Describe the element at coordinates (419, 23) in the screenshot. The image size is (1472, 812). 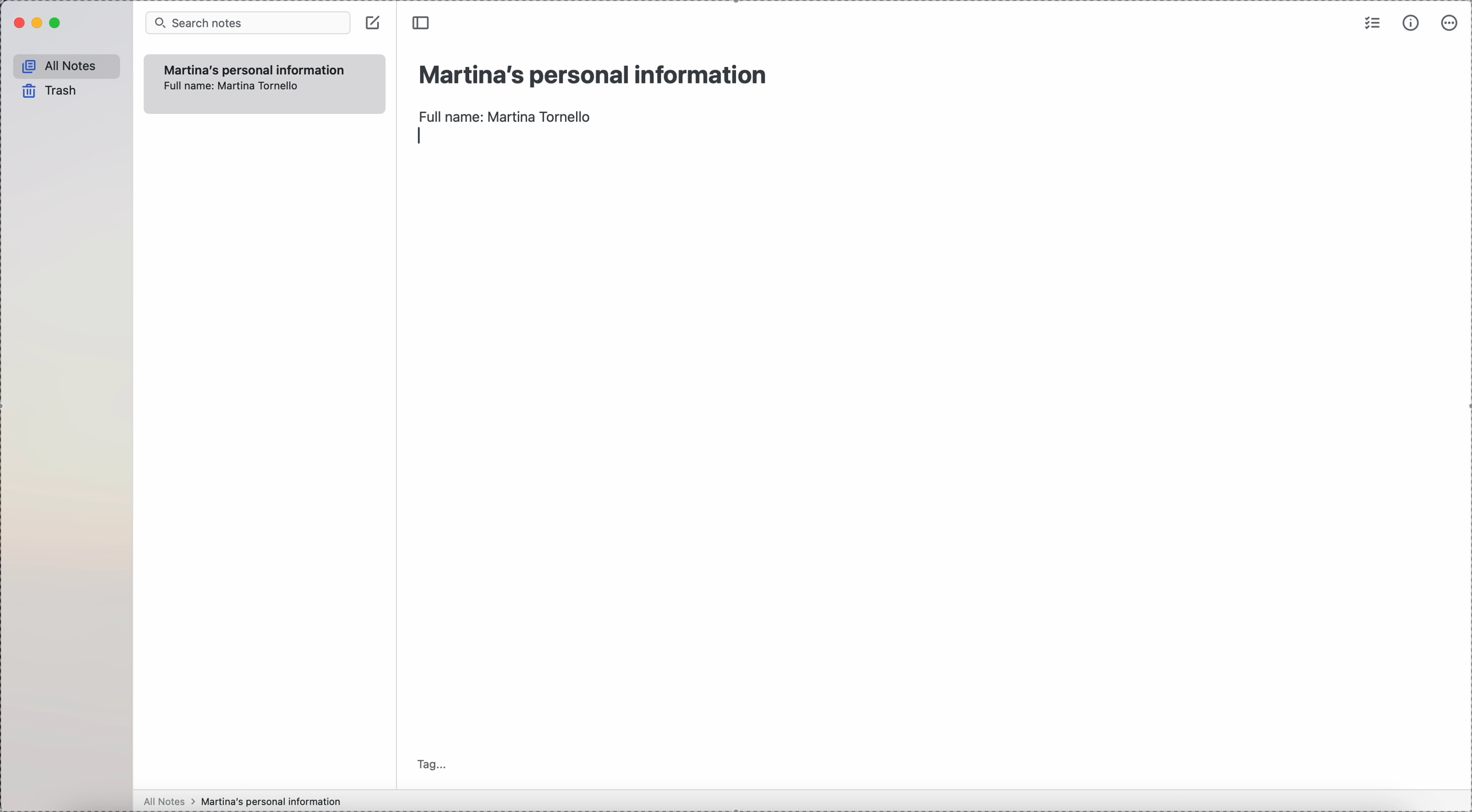
I see `toggle sidebar` at that location.